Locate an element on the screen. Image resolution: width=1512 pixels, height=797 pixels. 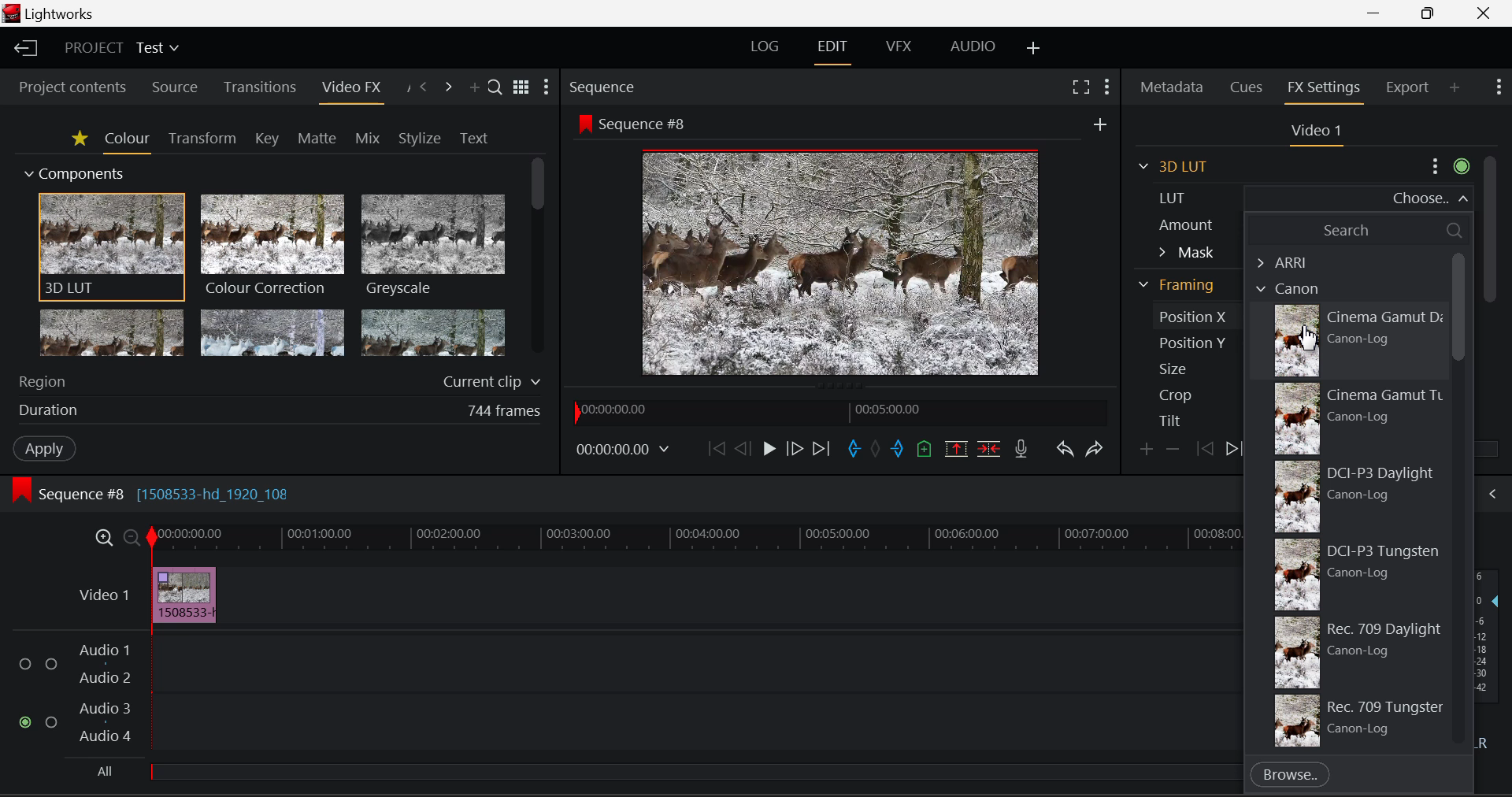
Source is located at coordinates (176, 87).